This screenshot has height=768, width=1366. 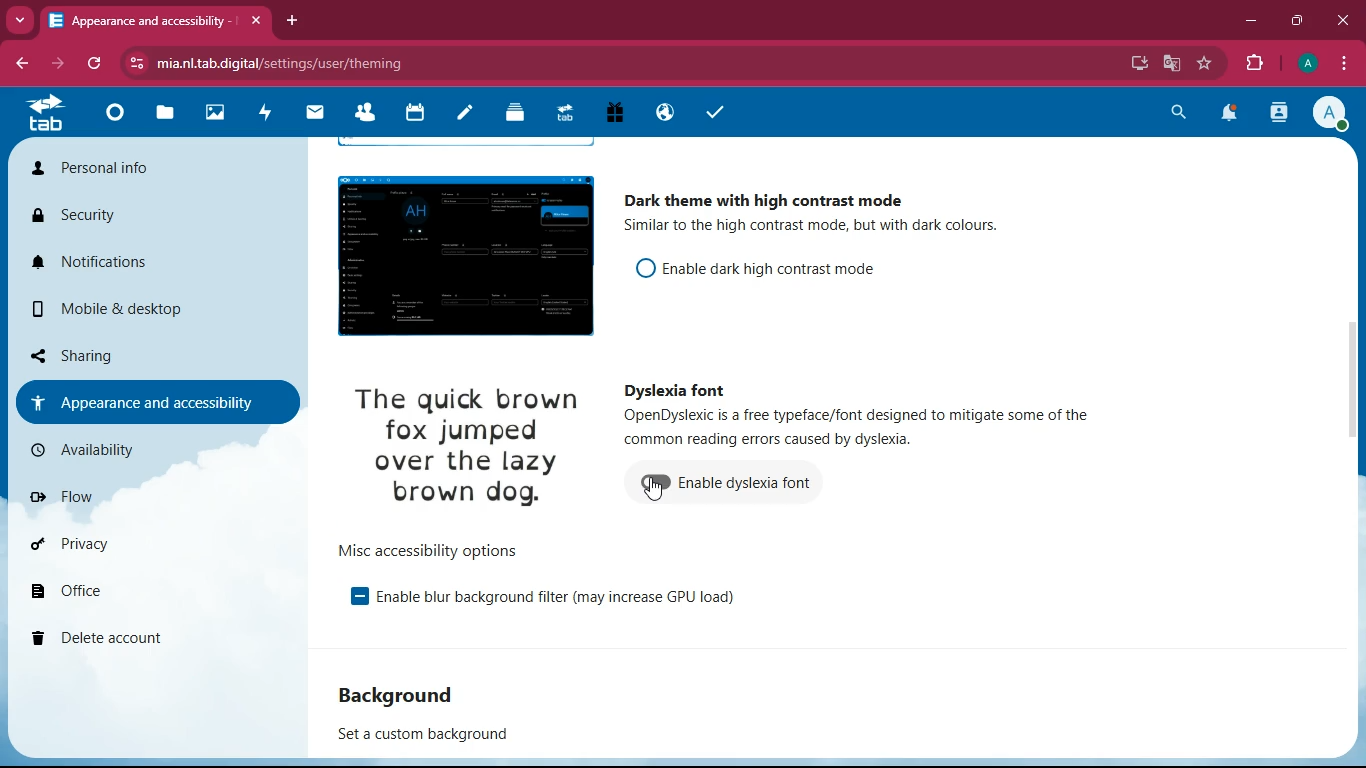 What do you see at coordinates (160, 401) in the screenshot?
I see `appearance` at bounding box center [160, 401].